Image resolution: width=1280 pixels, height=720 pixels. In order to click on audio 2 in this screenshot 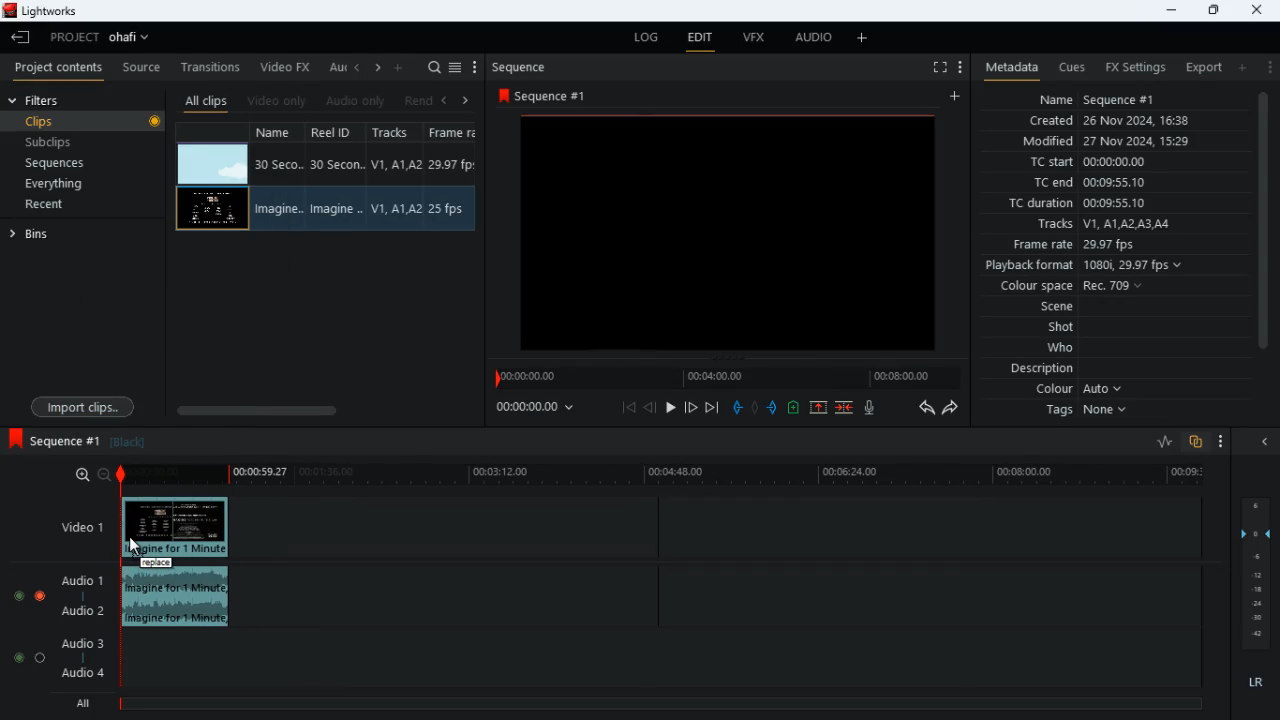, I will do `click(78, 613)`.